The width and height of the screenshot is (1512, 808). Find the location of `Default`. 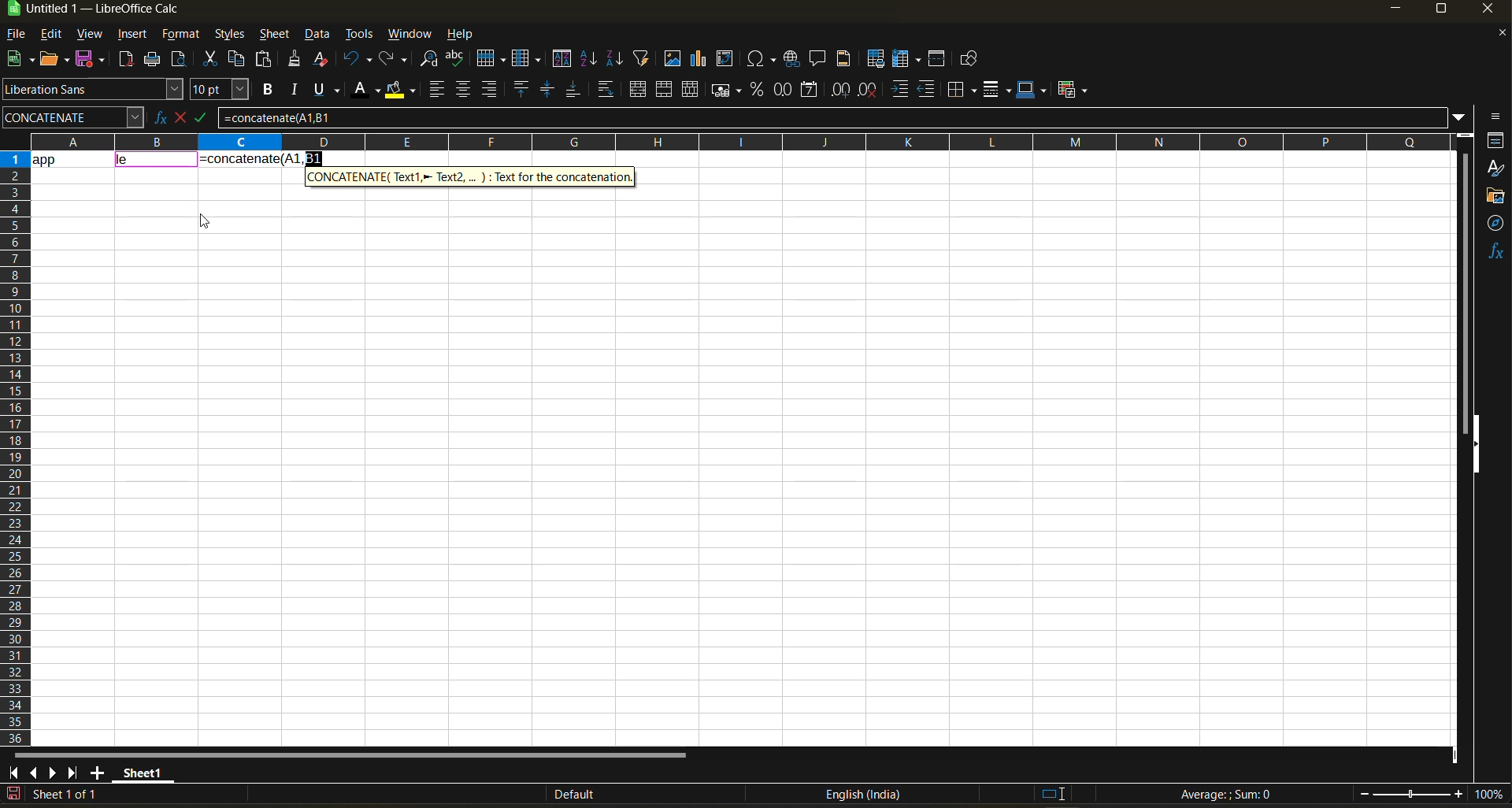

Default is located at coordinates (561, 795).